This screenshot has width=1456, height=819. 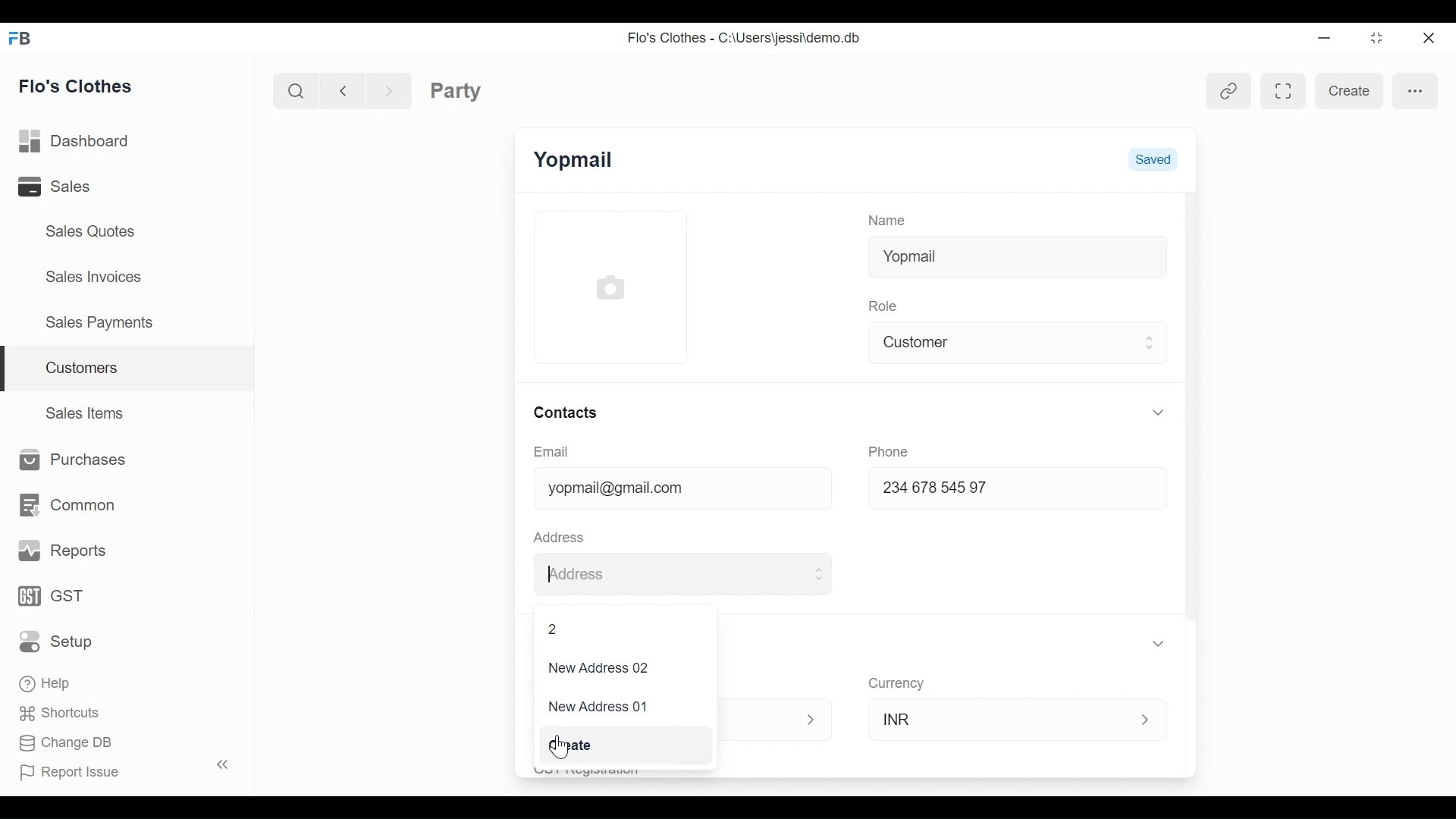 I want to click on minimize, so click(x=1323, y=37).